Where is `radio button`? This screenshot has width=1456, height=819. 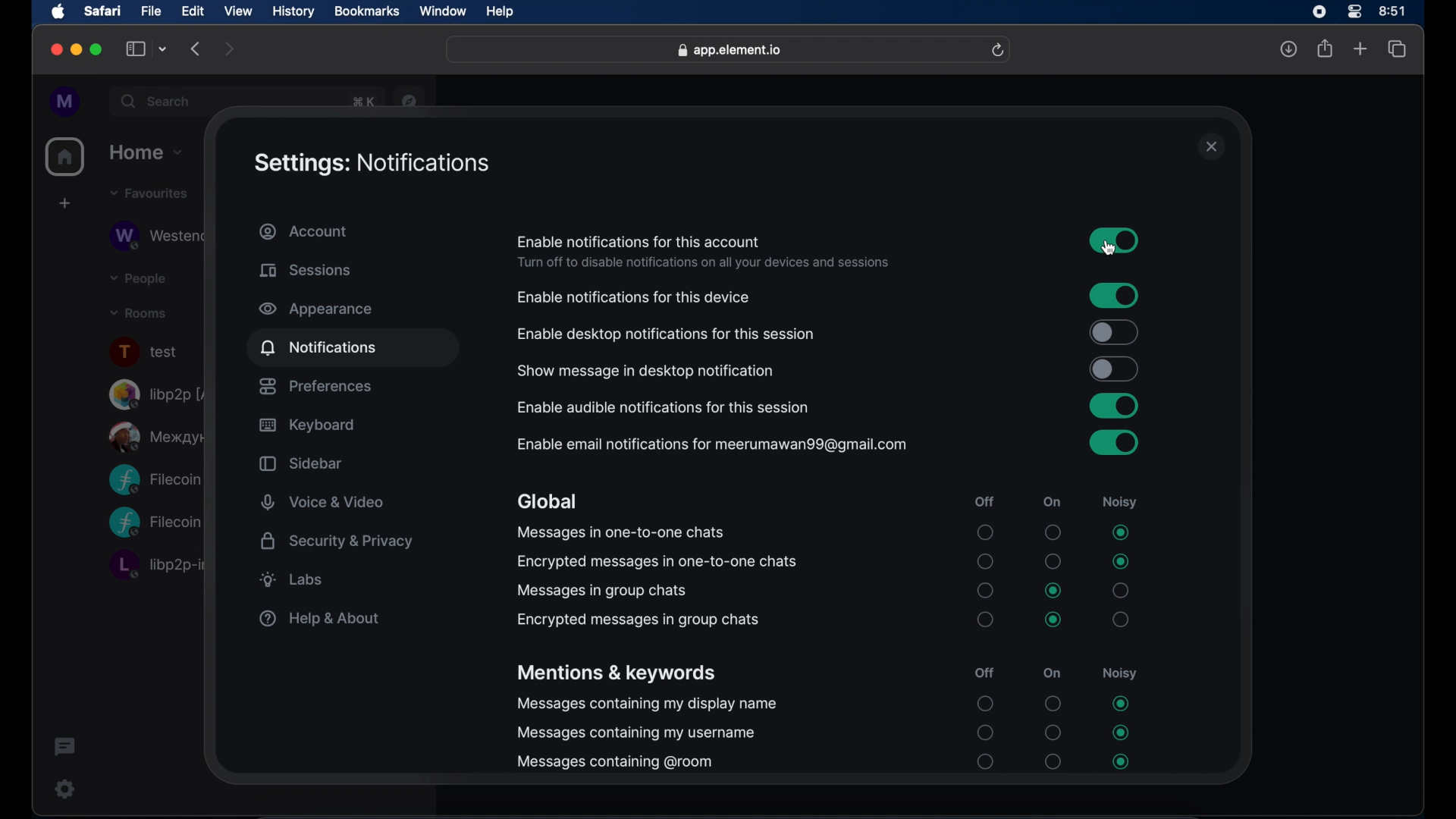 radio button is located at coordinates (1119, 562).